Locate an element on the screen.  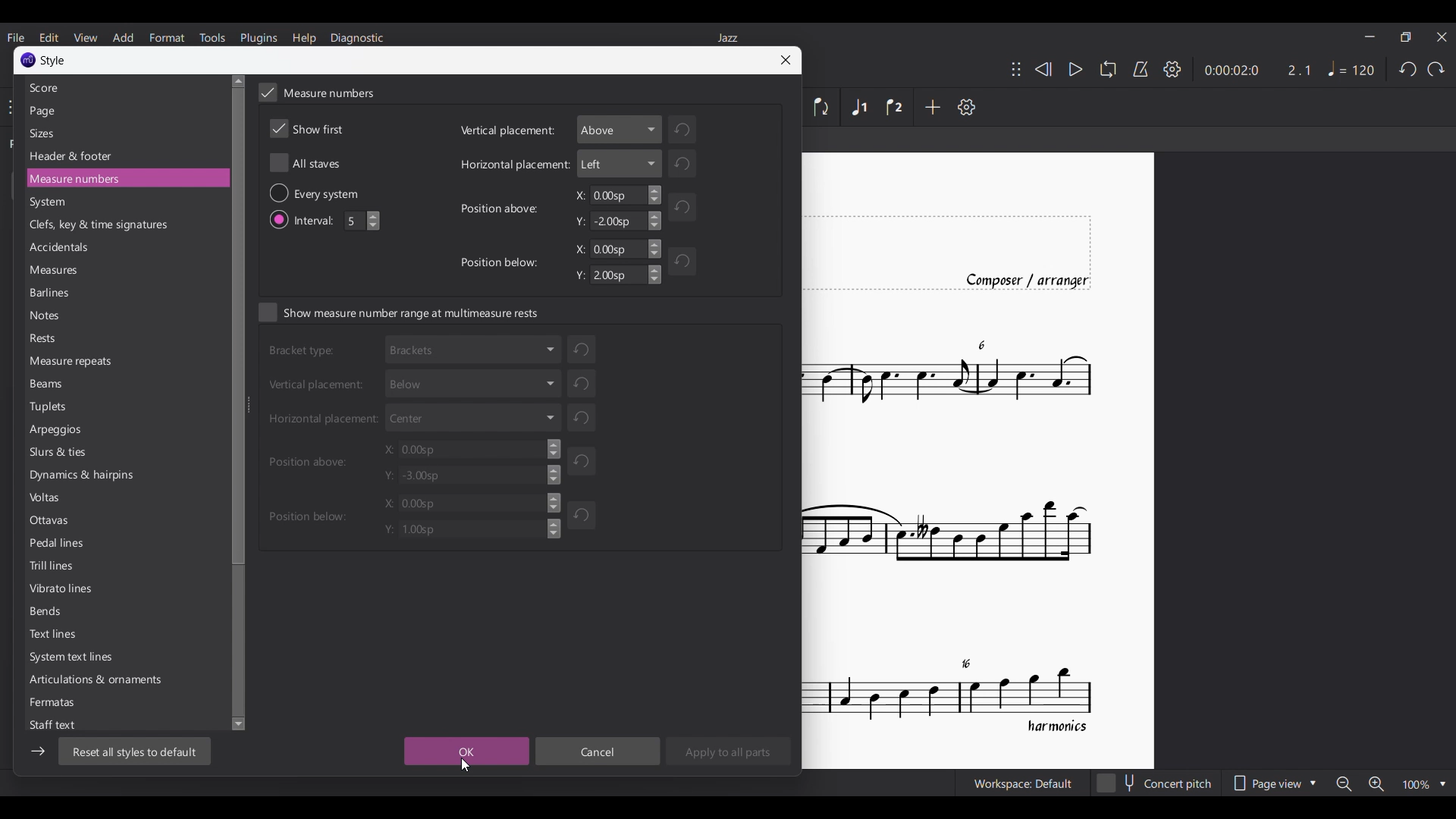
Indicates setting for each is located at coordinates (304, 353).